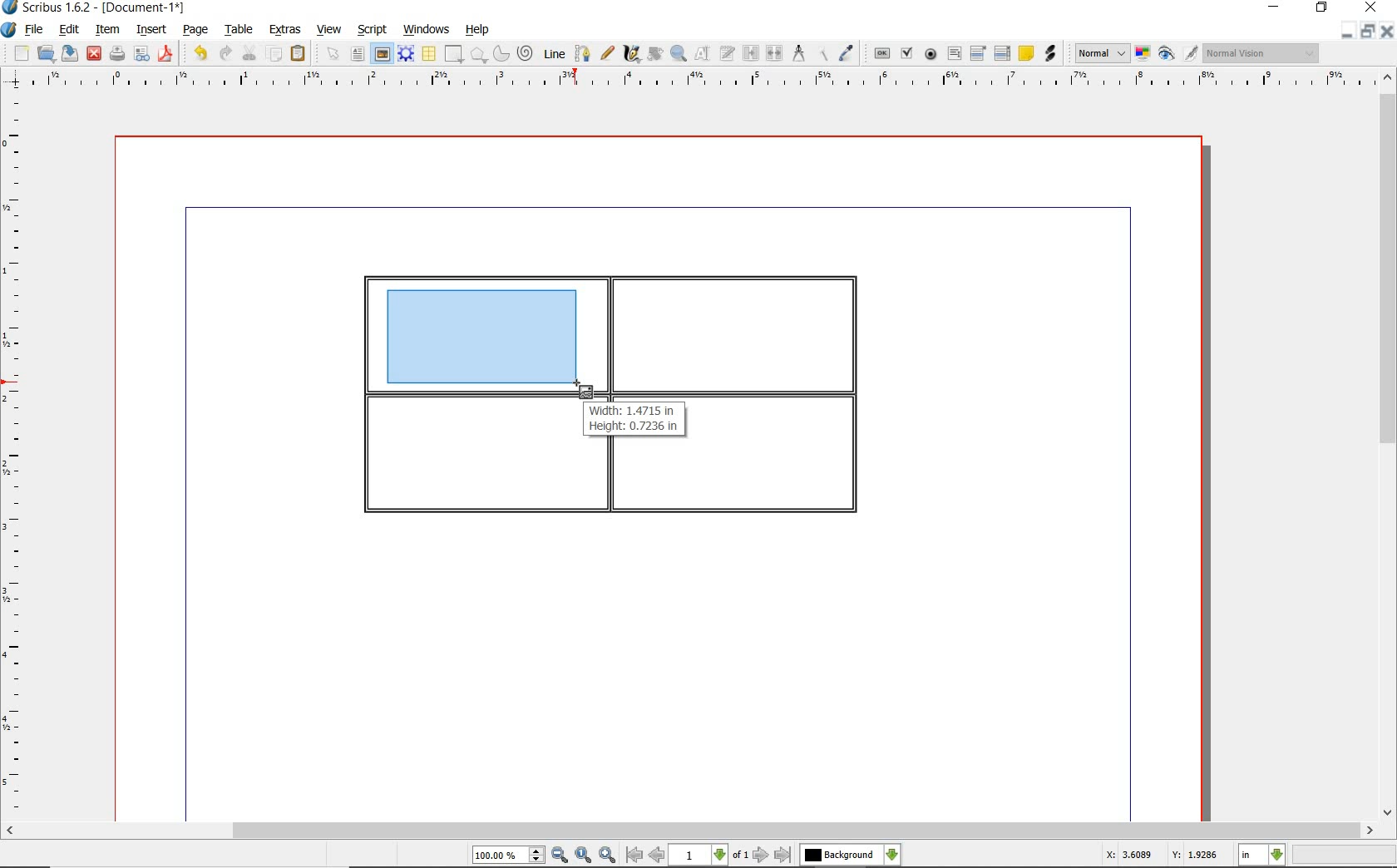 The width and height of the screenshot is (1397, 868). I want to click on pdf combo box, so click(980, 54).